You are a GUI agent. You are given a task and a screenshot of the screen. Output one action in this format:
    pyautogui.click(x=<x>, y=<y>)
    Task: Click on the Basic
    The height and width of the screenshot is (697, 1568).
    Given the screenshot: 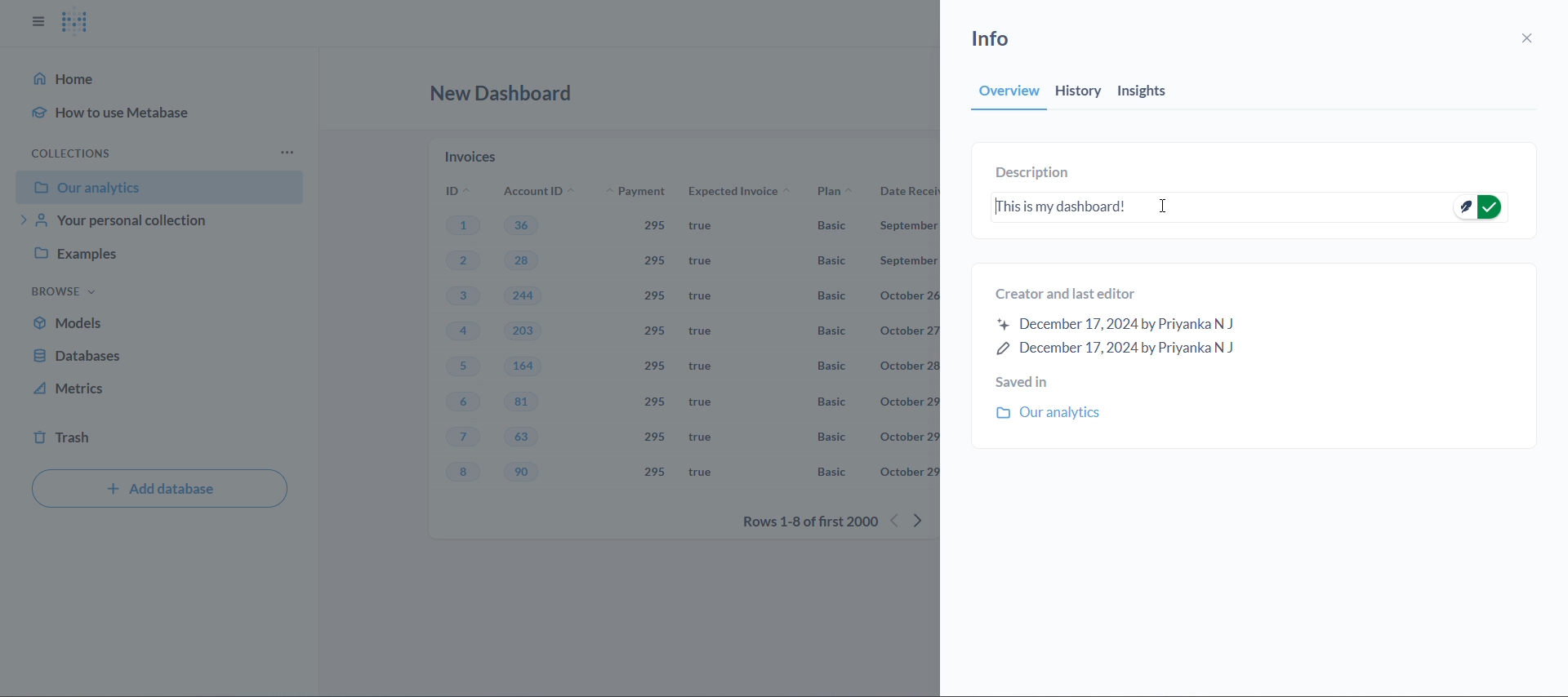 What is the action you would take?
    pyautogui.click(x=832, y=402)
    